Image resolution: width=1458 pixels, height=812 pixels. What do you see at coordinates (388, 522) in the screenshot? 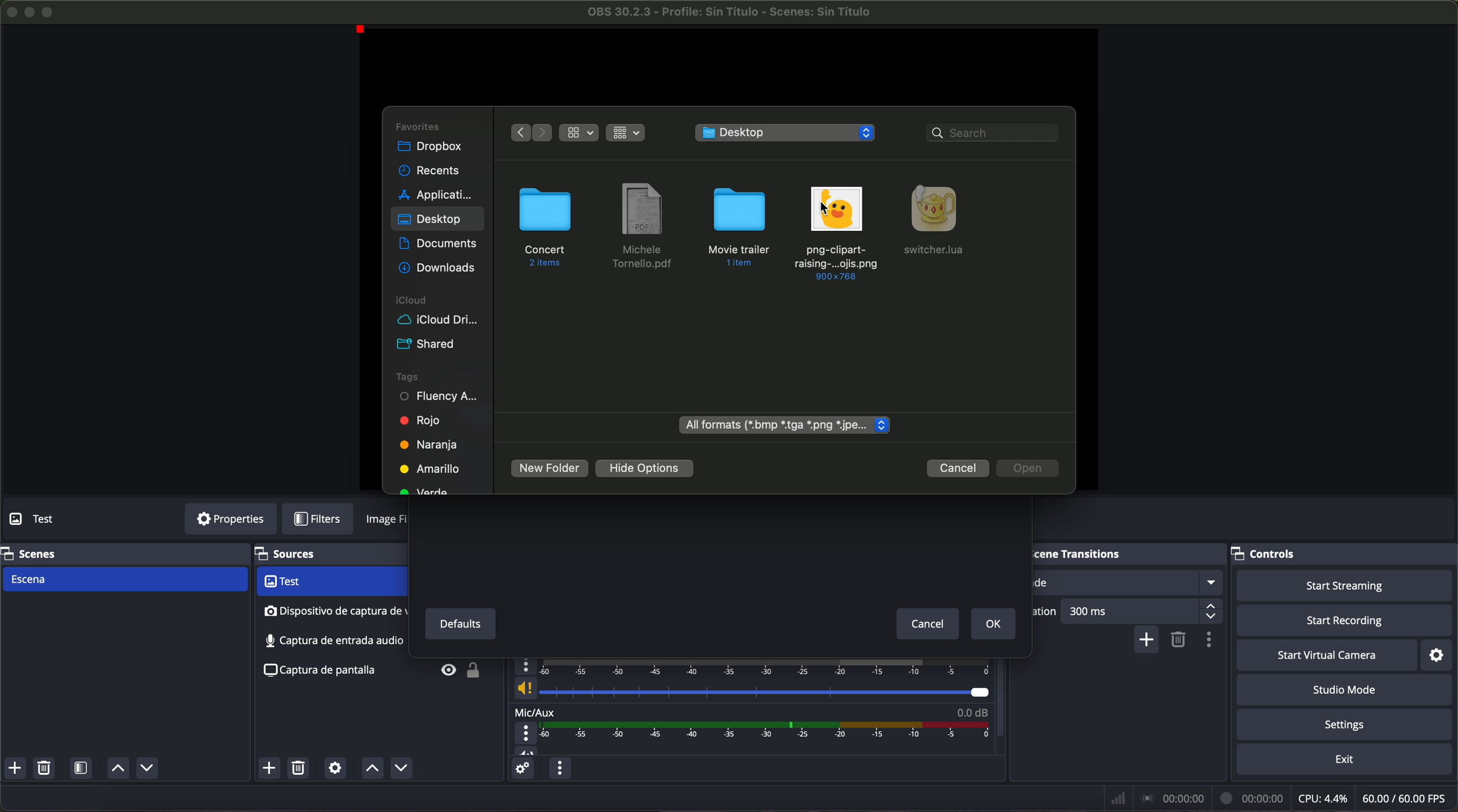
I see `image` at bounding box center [388, 522].